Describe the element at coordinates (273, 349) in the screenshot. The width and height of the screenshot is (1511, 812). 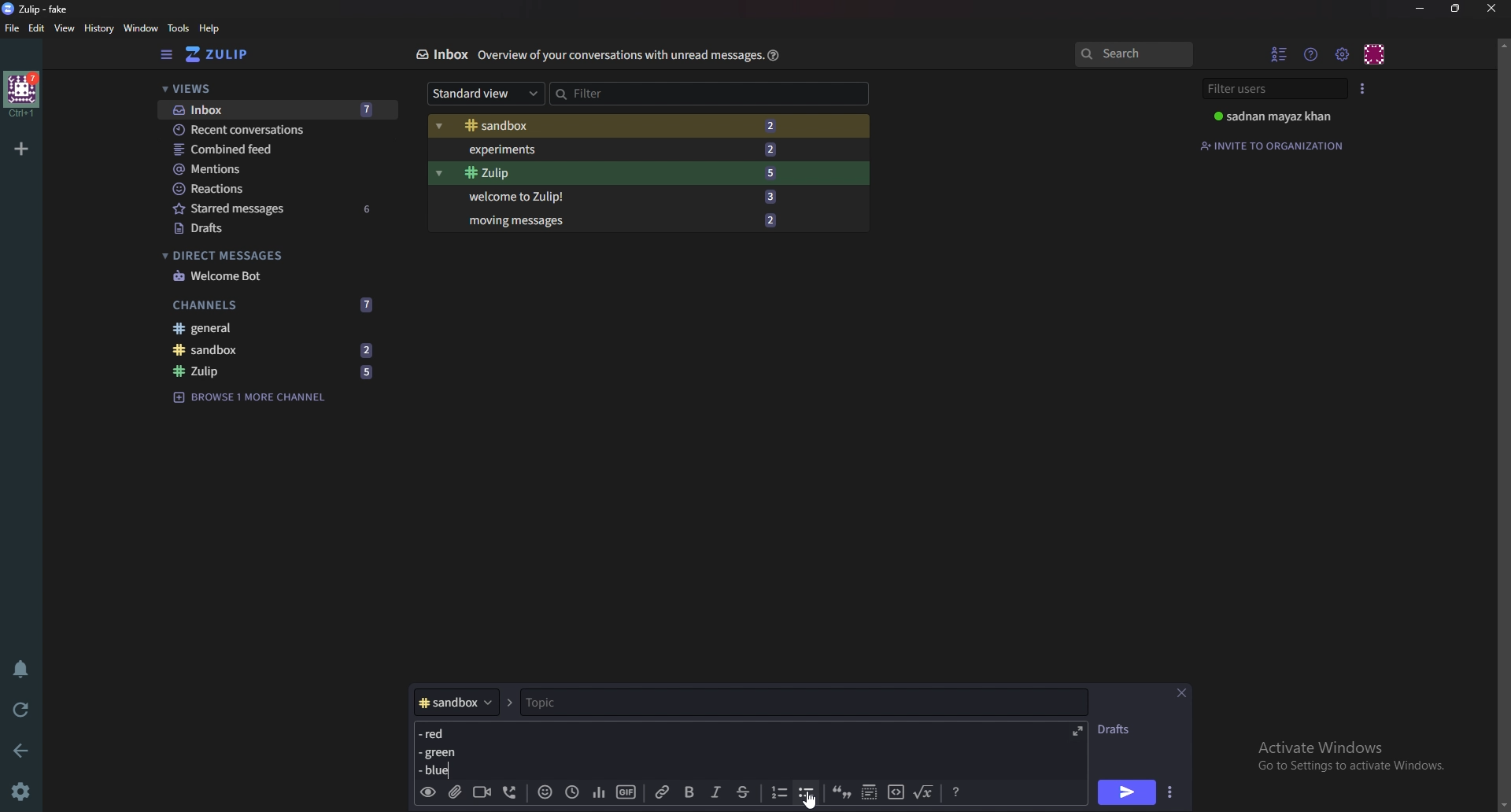
I see `Sandbox` at that location.